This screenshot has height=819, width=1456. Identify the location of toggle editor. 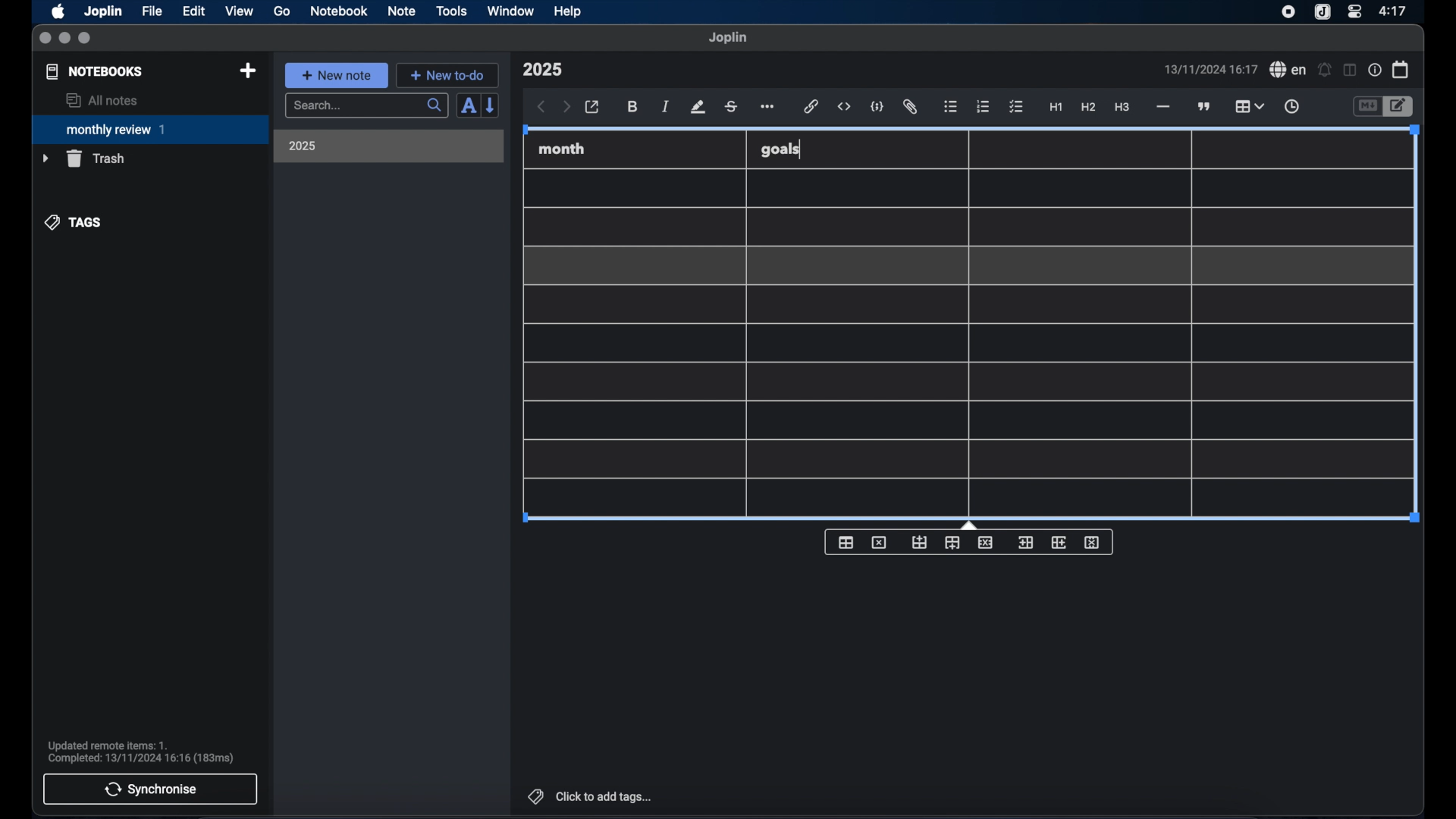
(1367, 107).